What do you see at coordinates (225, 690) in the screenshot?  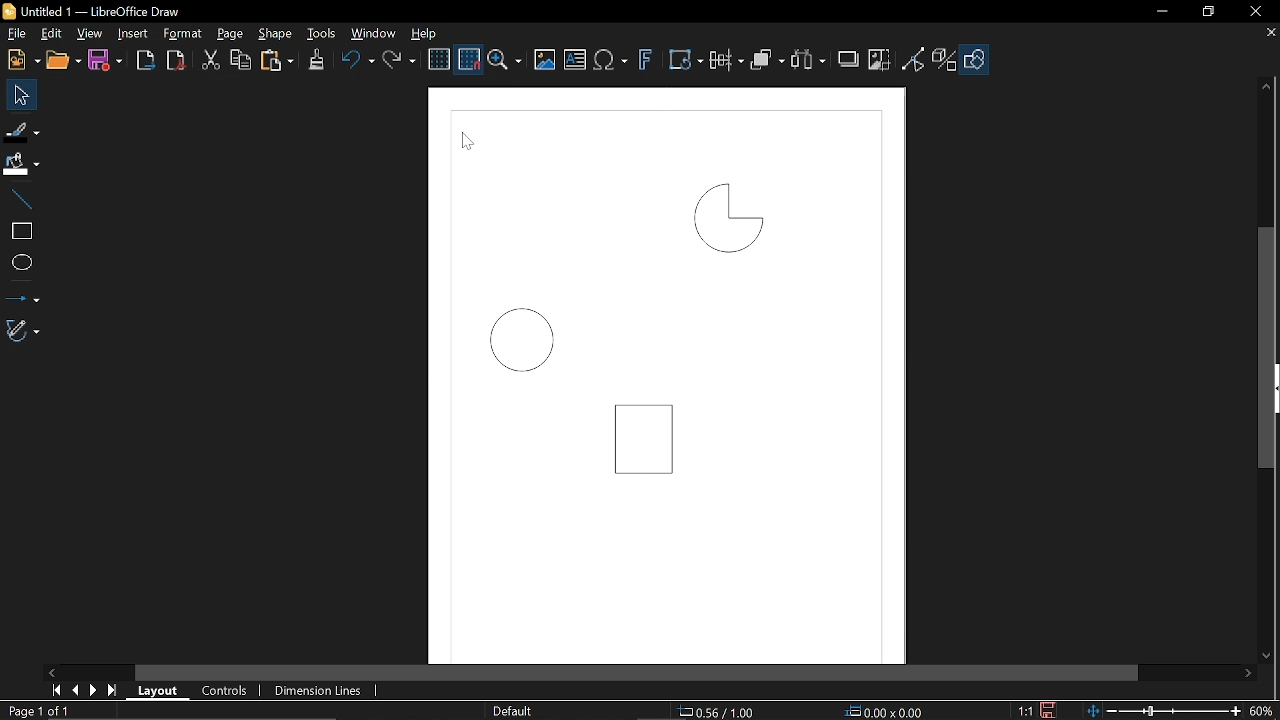 I see `Controls` at bounding box center [225, 690].